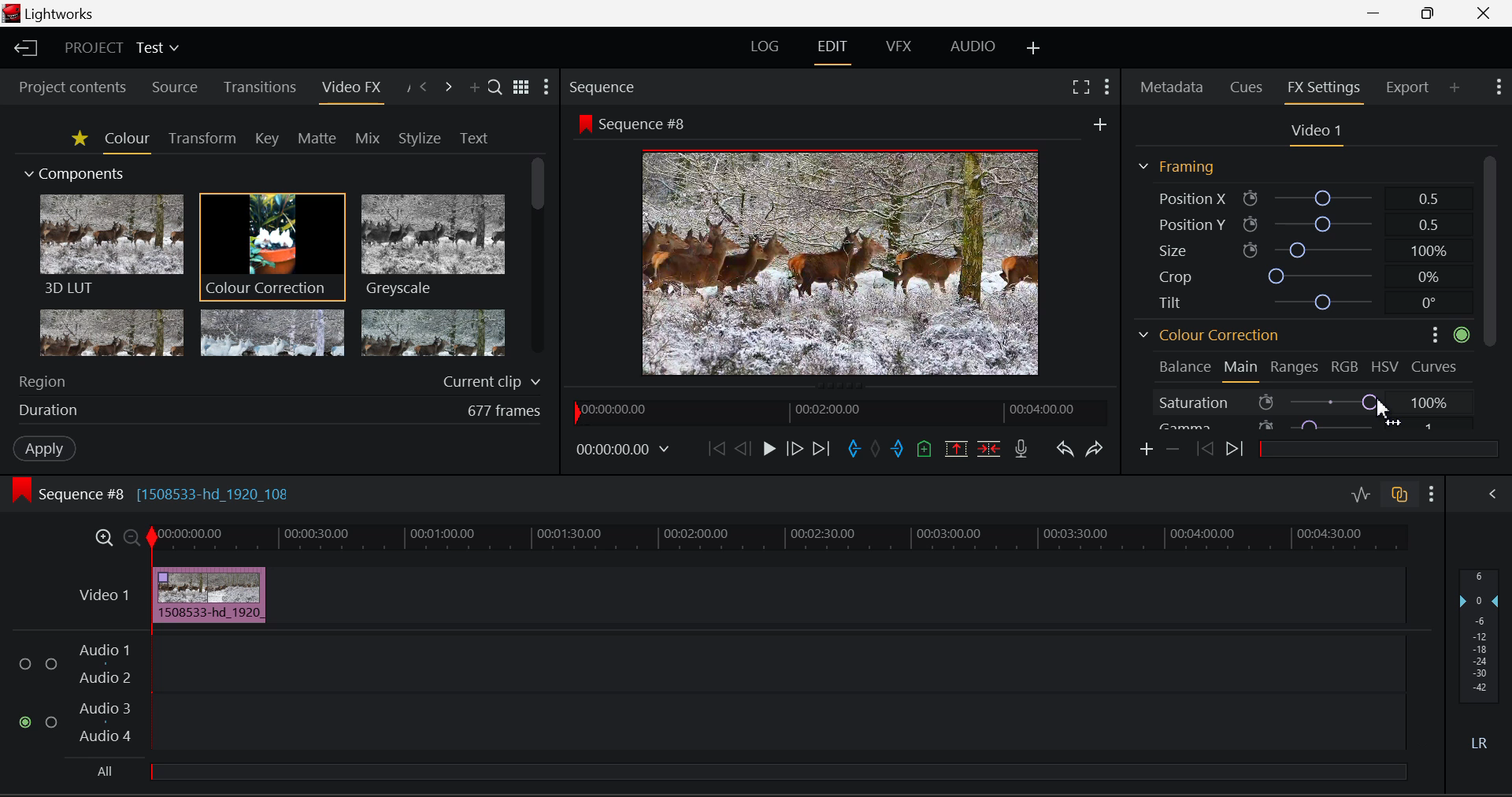 The image size is (1512, 797). What do you see at coordinates (742, 449) in the screenshot?
I see `Go Back` at bounding box center [742, 449].